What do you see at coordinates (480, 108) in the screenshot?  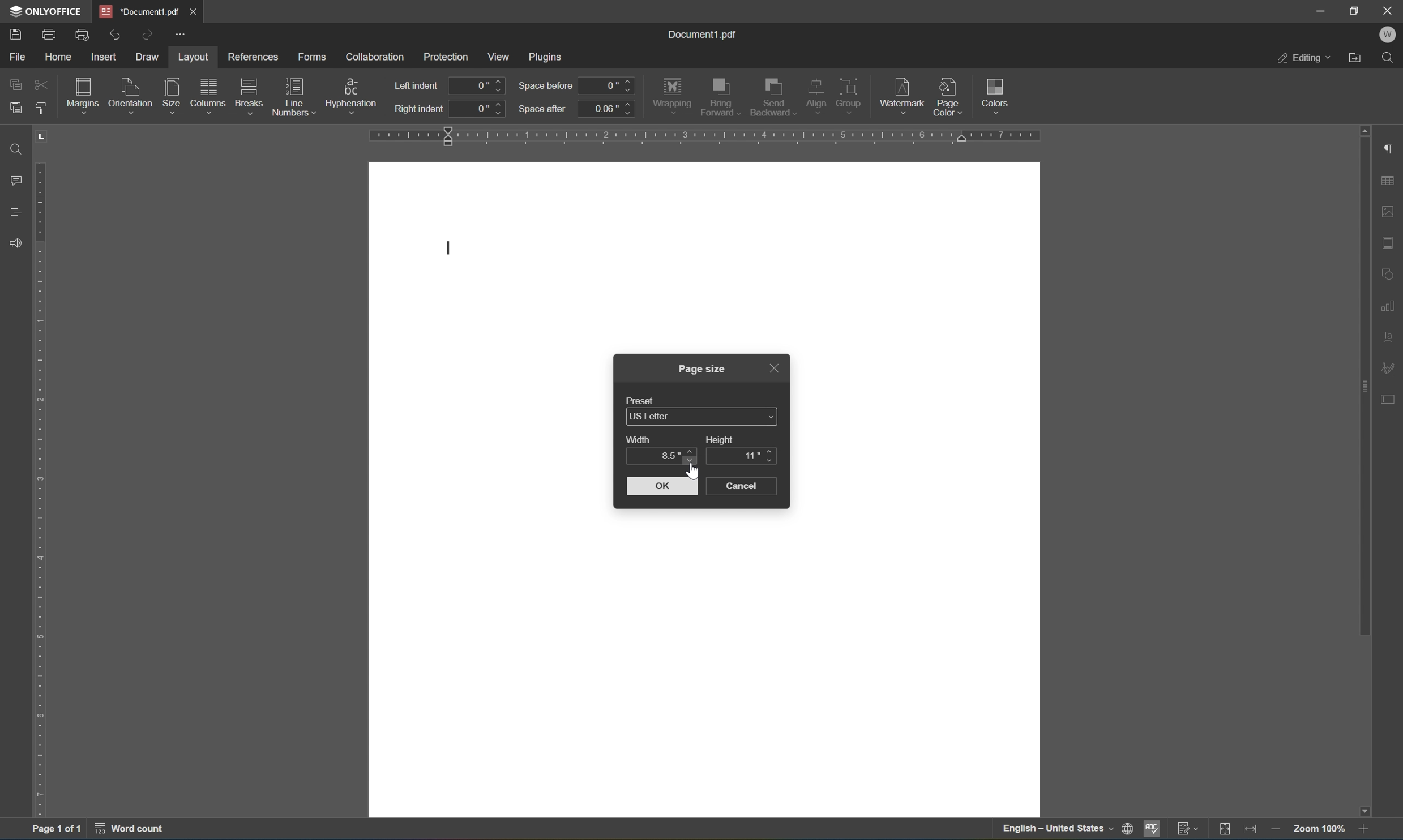 I see `0` at bounding box center [480, 108].